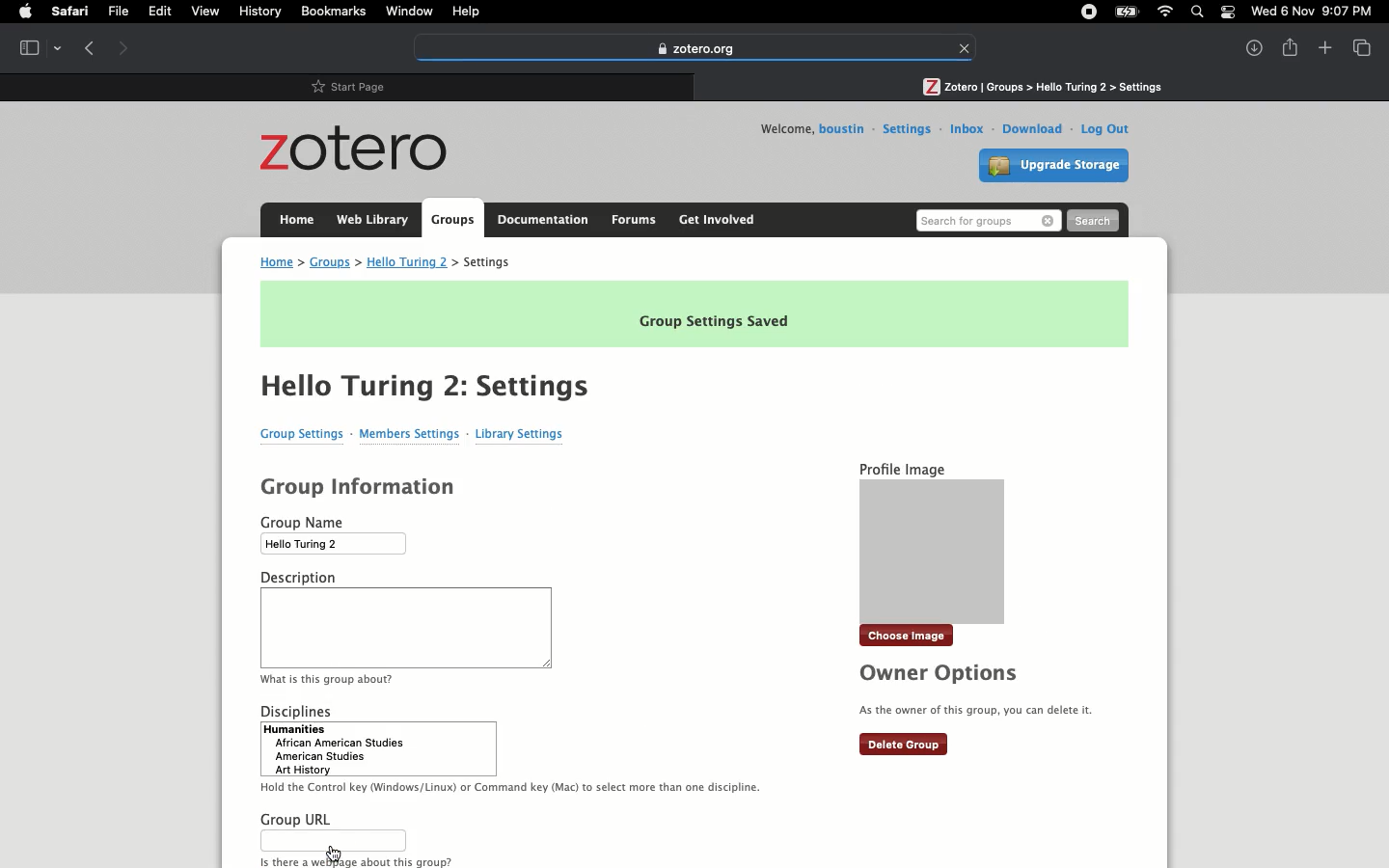  What do you see at coordinates (1225, 14) in the screenshot?
I see `Notification bar` at bounding box center [1225, 14].